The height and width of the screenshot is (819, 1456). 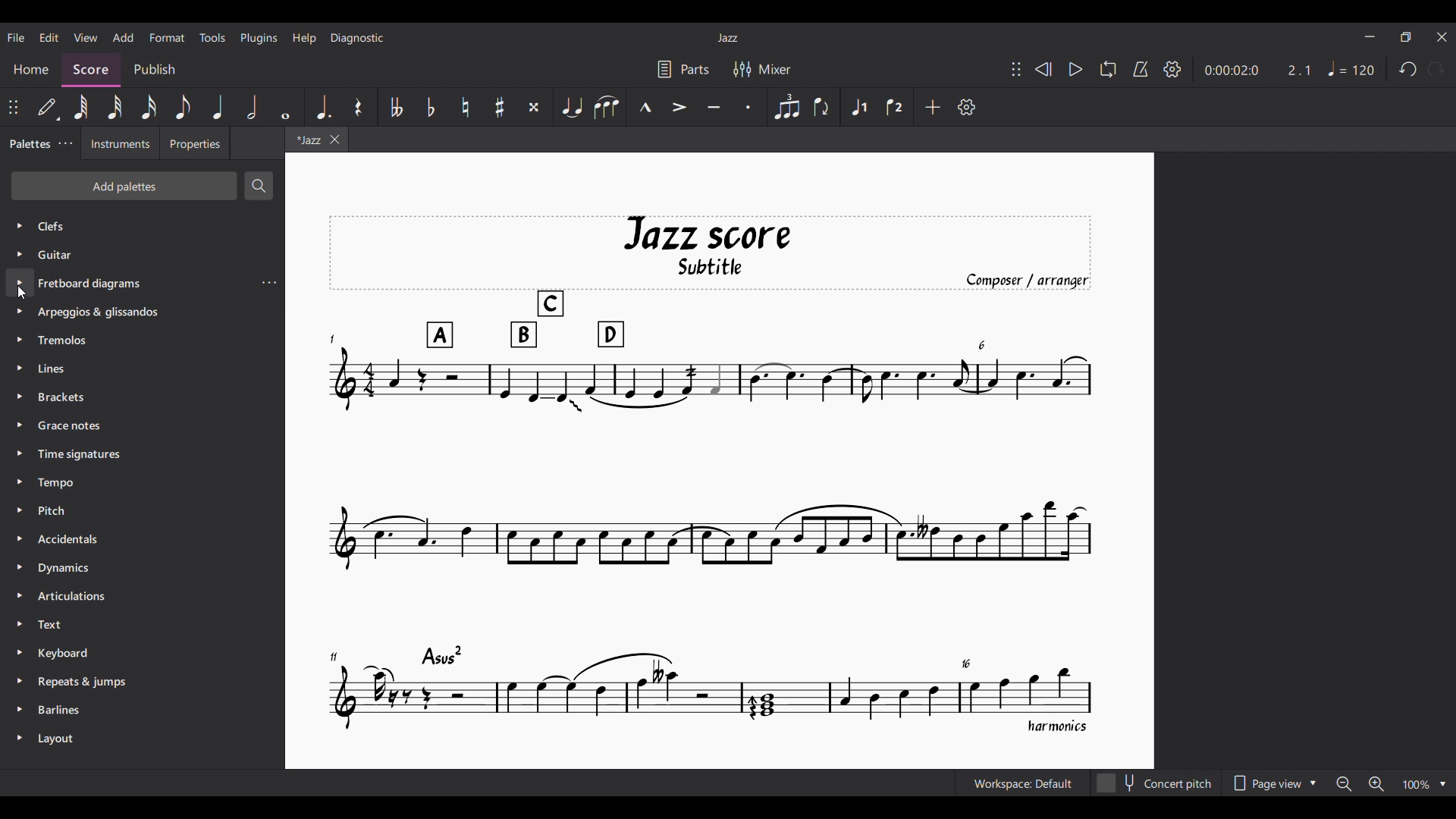 What do you see at coordinates (149, 107) in the screenshot?
I see `16th note` at bounding box center [149, 107].